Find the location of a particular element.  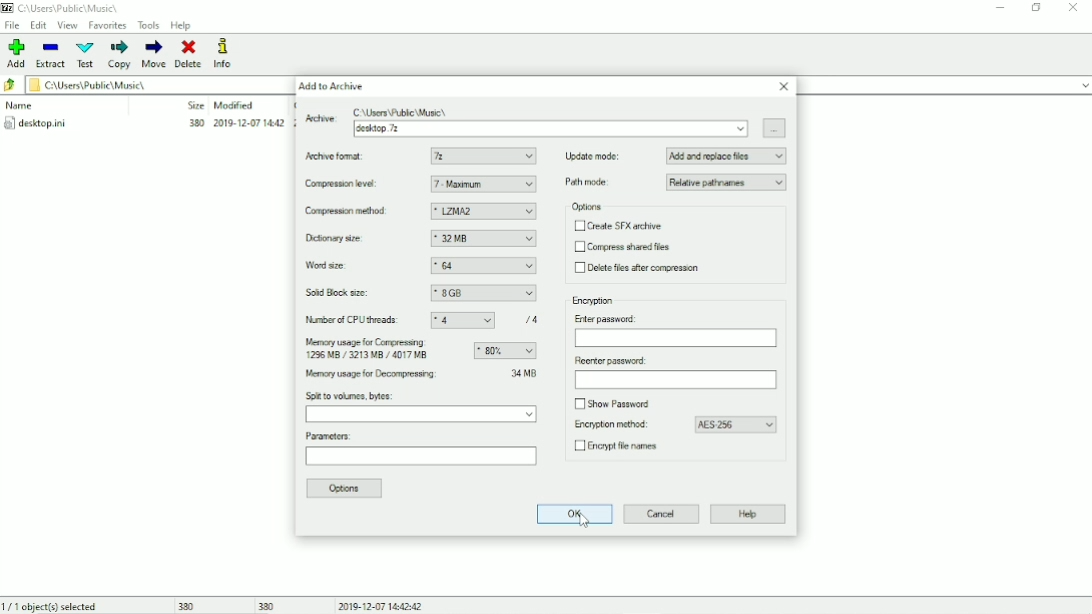

Memory usage for decompressing is located at coordinates (396, 375).